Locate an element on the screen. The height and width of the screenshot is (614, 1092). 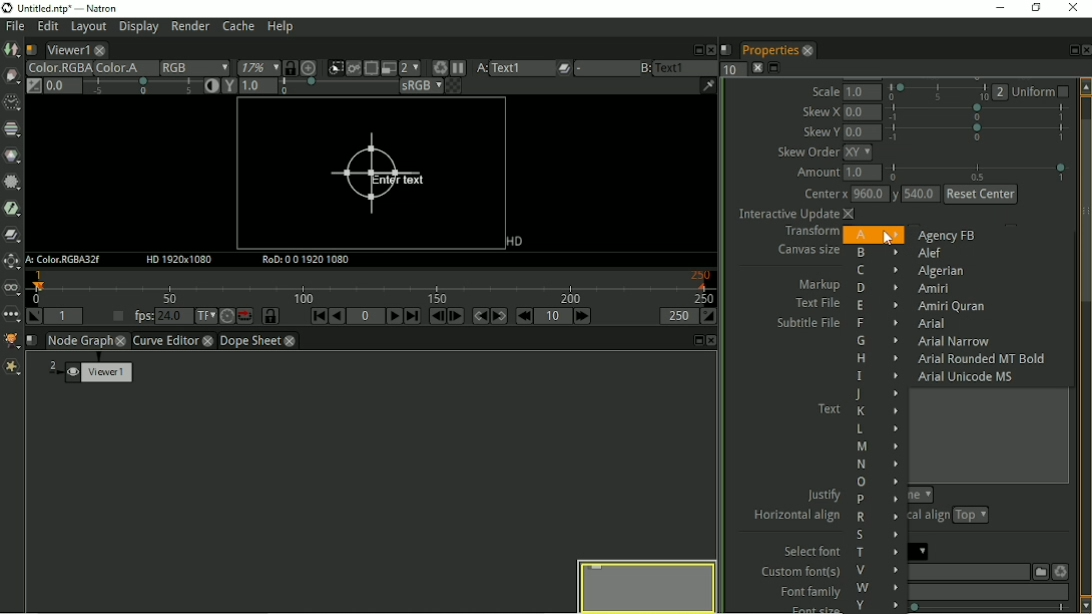
Float pane is located at coordinates (695, 49).